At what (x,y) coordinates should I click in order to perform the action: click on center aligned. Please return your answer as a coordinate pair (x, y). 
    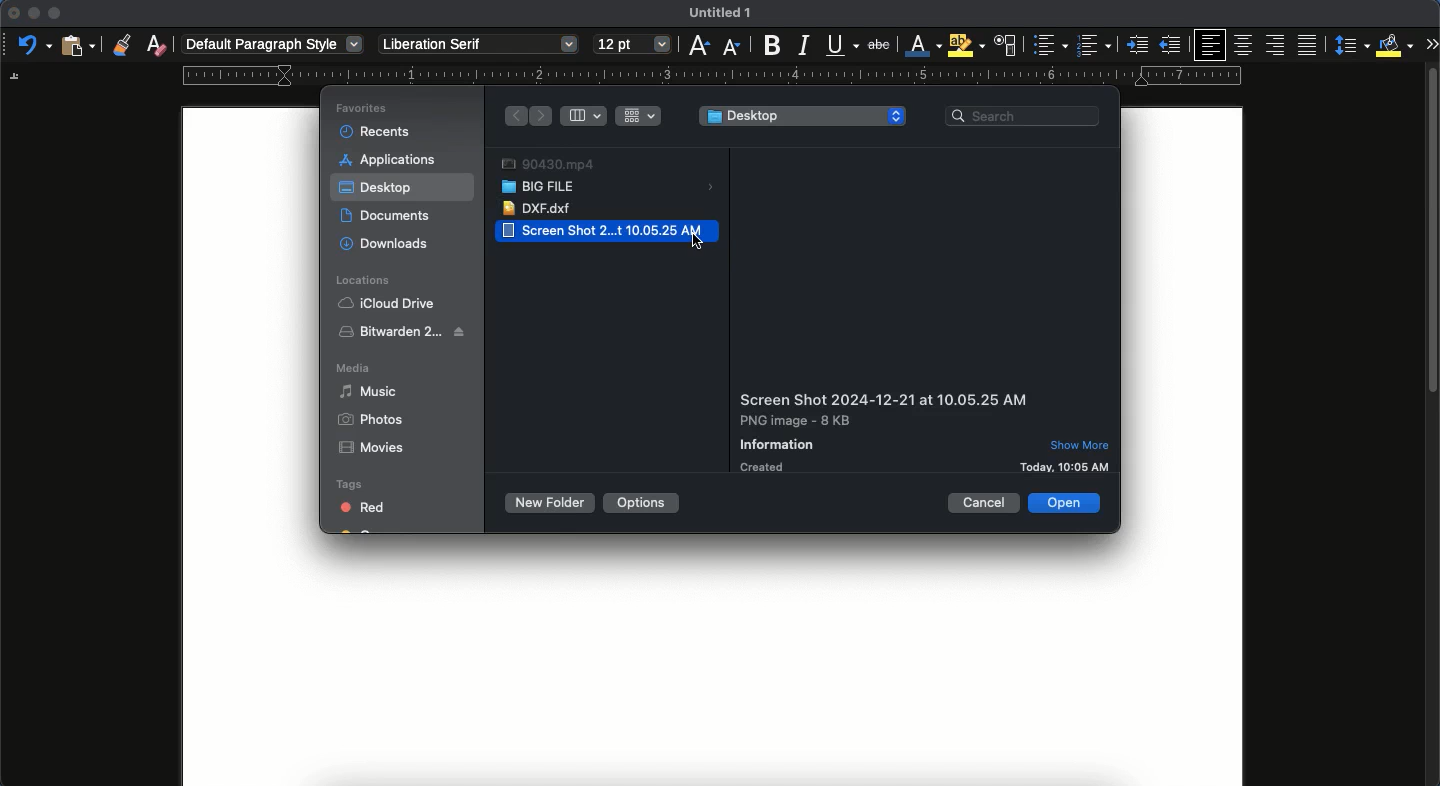
    Looking at the image, I should click on (1246, 44).